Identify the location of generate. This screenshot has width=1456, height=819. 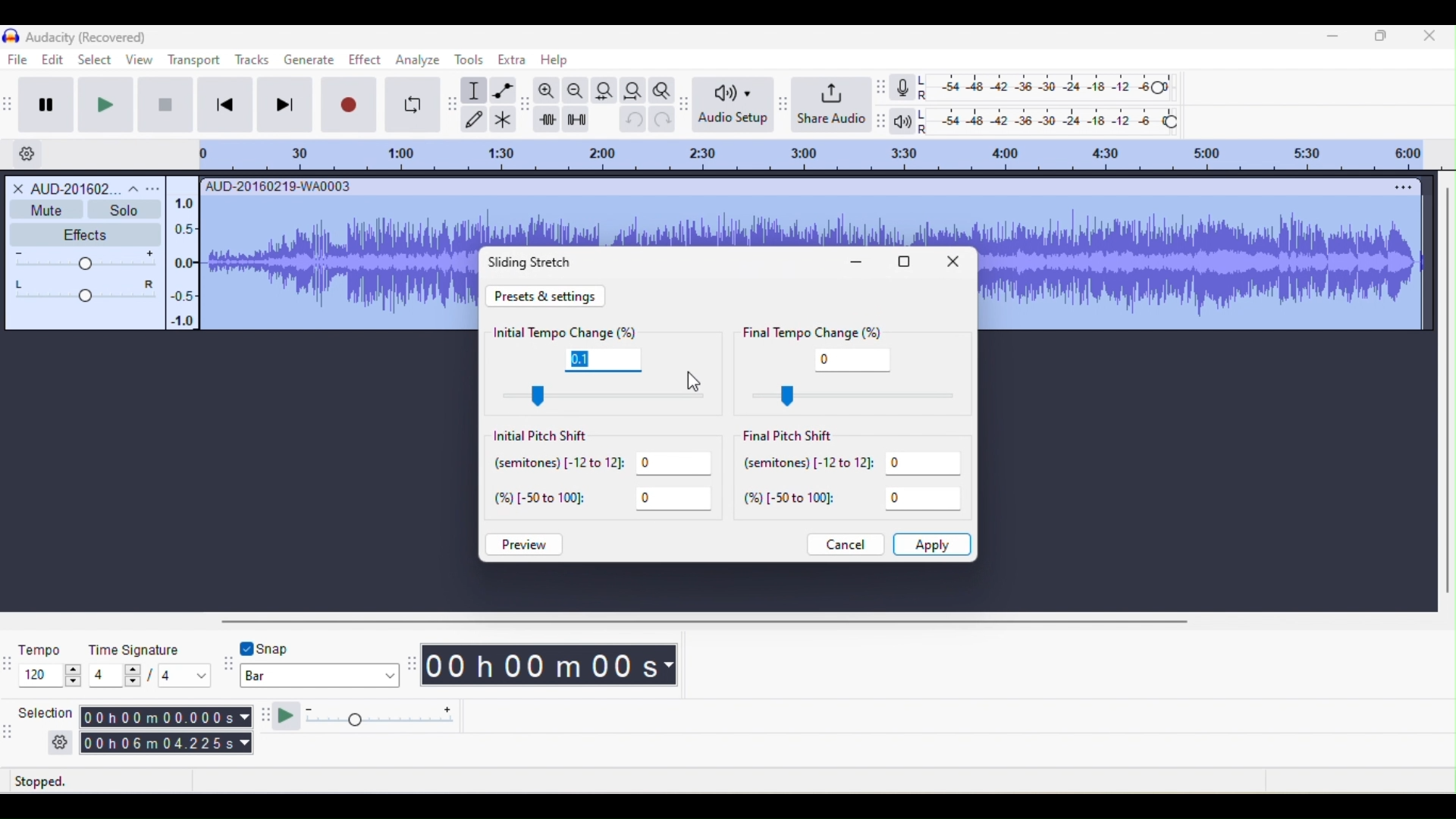
(309, 60).